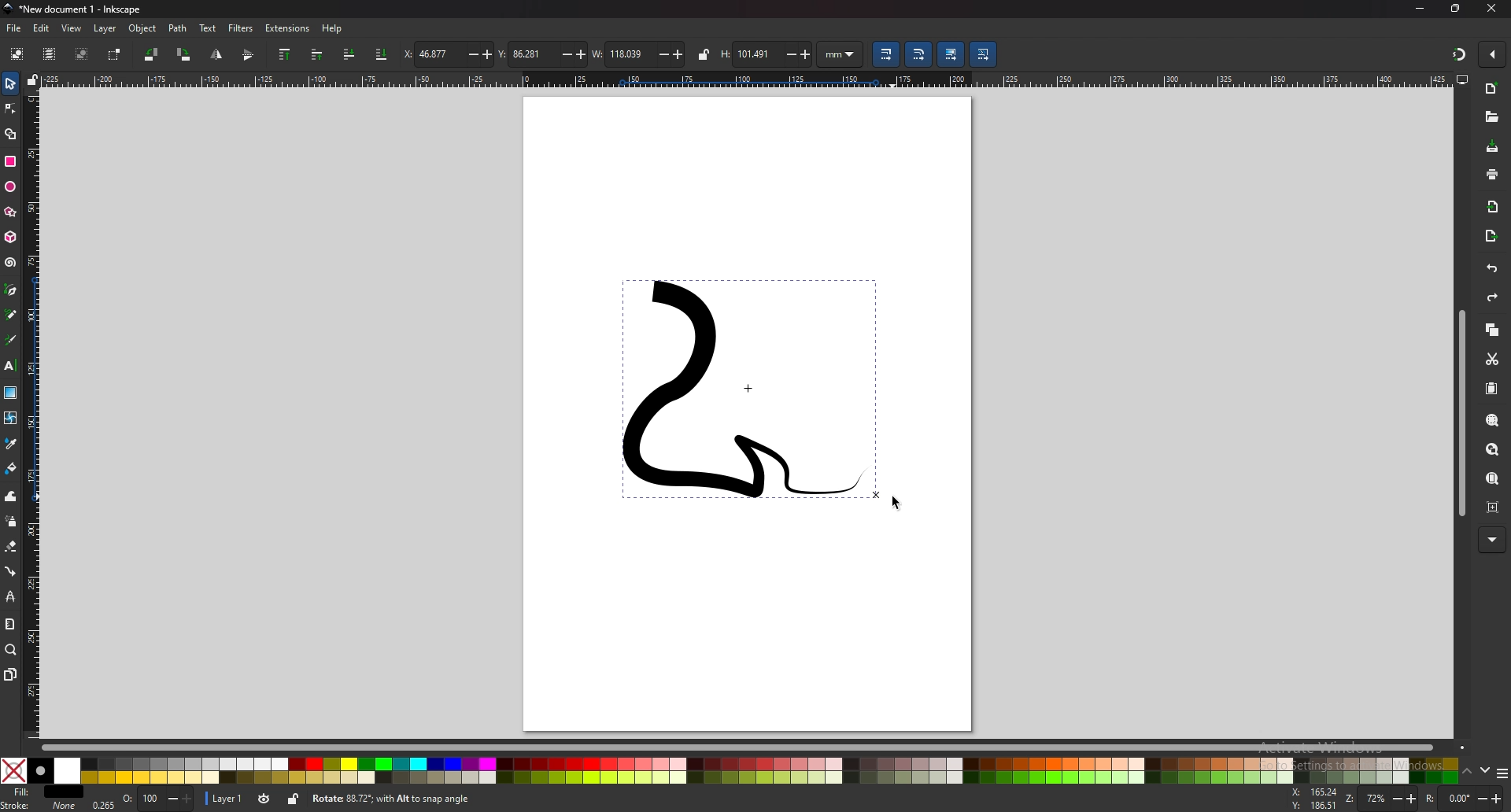 Image resolution: width=1511 pixels, height=812 pixels. I want to click on minimize, so click(1420, 8).